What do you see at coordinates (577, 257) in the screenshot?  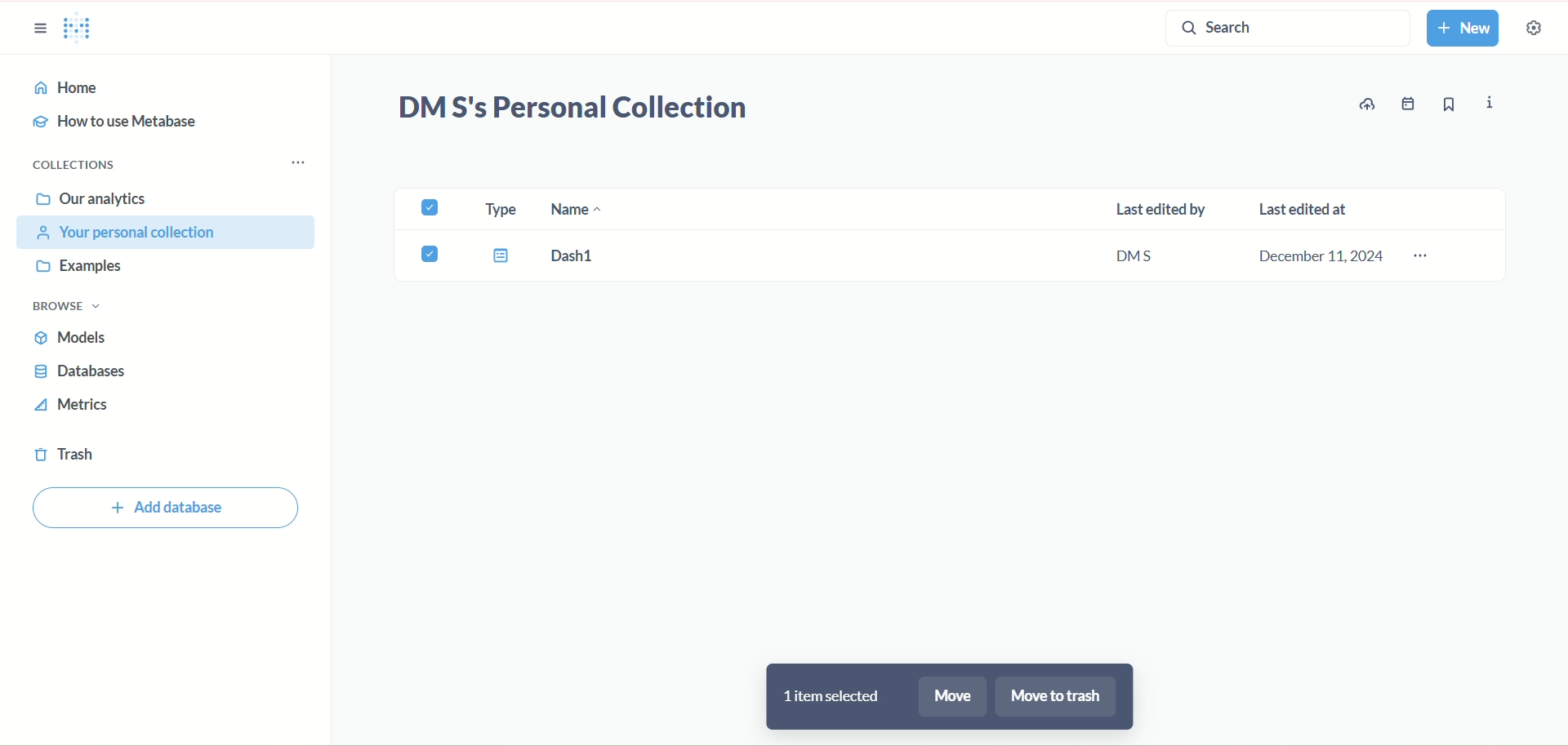 I see `Dash 1` at bounding box center [577, 257].